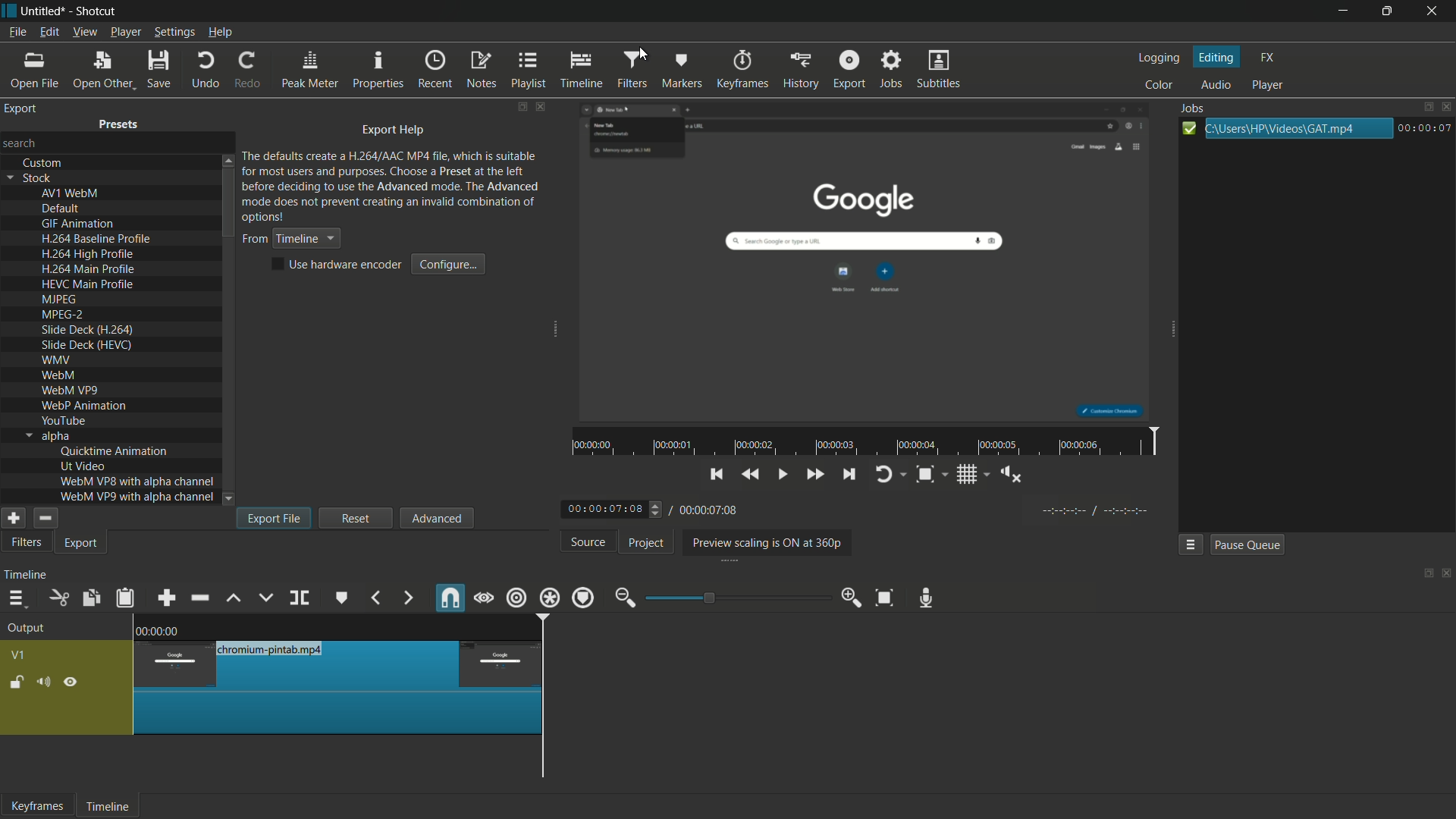  What do you see at coordinates (548, 598) in the screenshot?
I see `ripple all tracks` at bounding box center [548, 598].